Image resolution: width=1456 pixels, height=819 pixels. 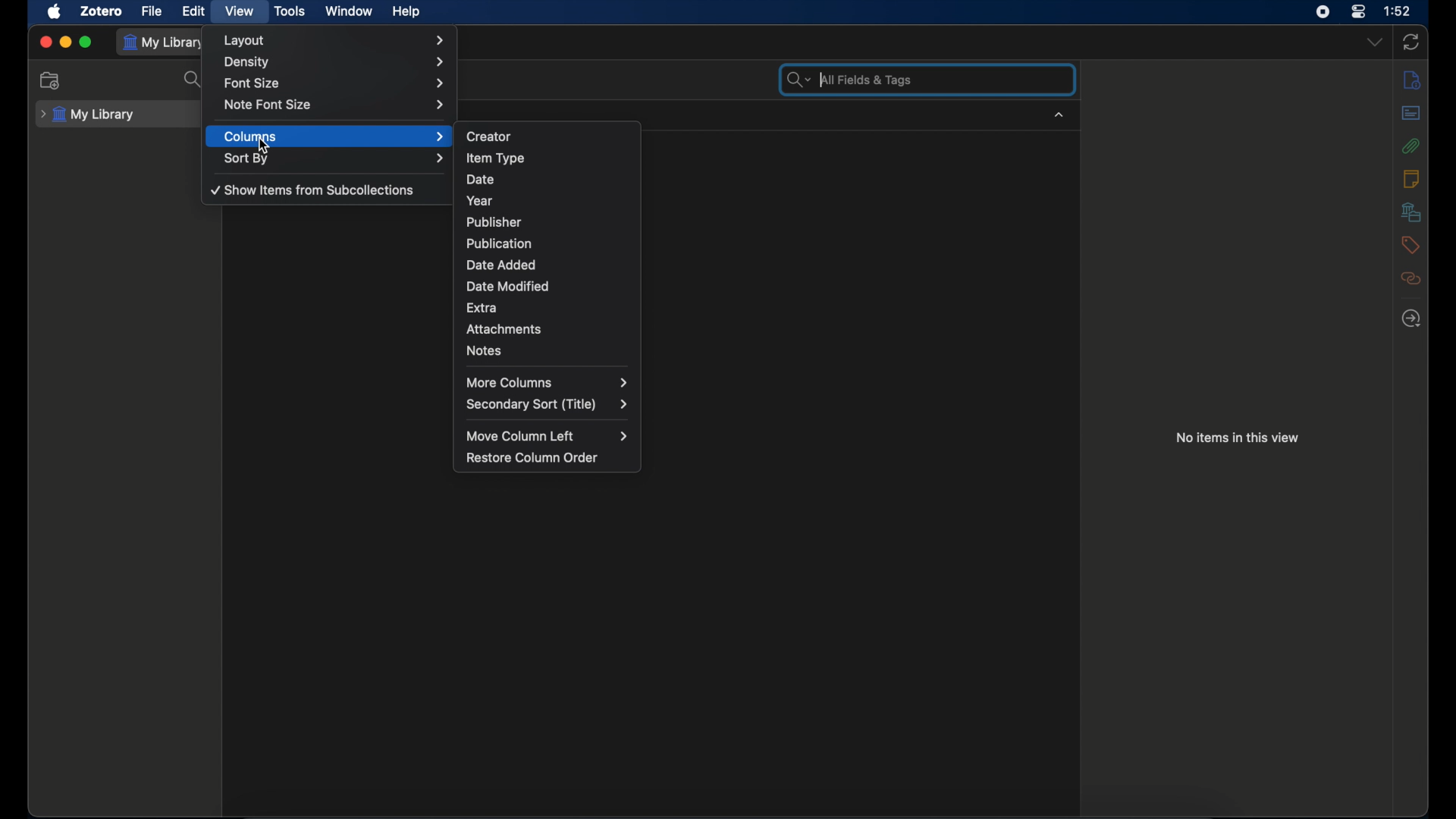 What do you see at coordinates (350, 12) in the screenshot?
I see `window` at bounding box center [350, 12].